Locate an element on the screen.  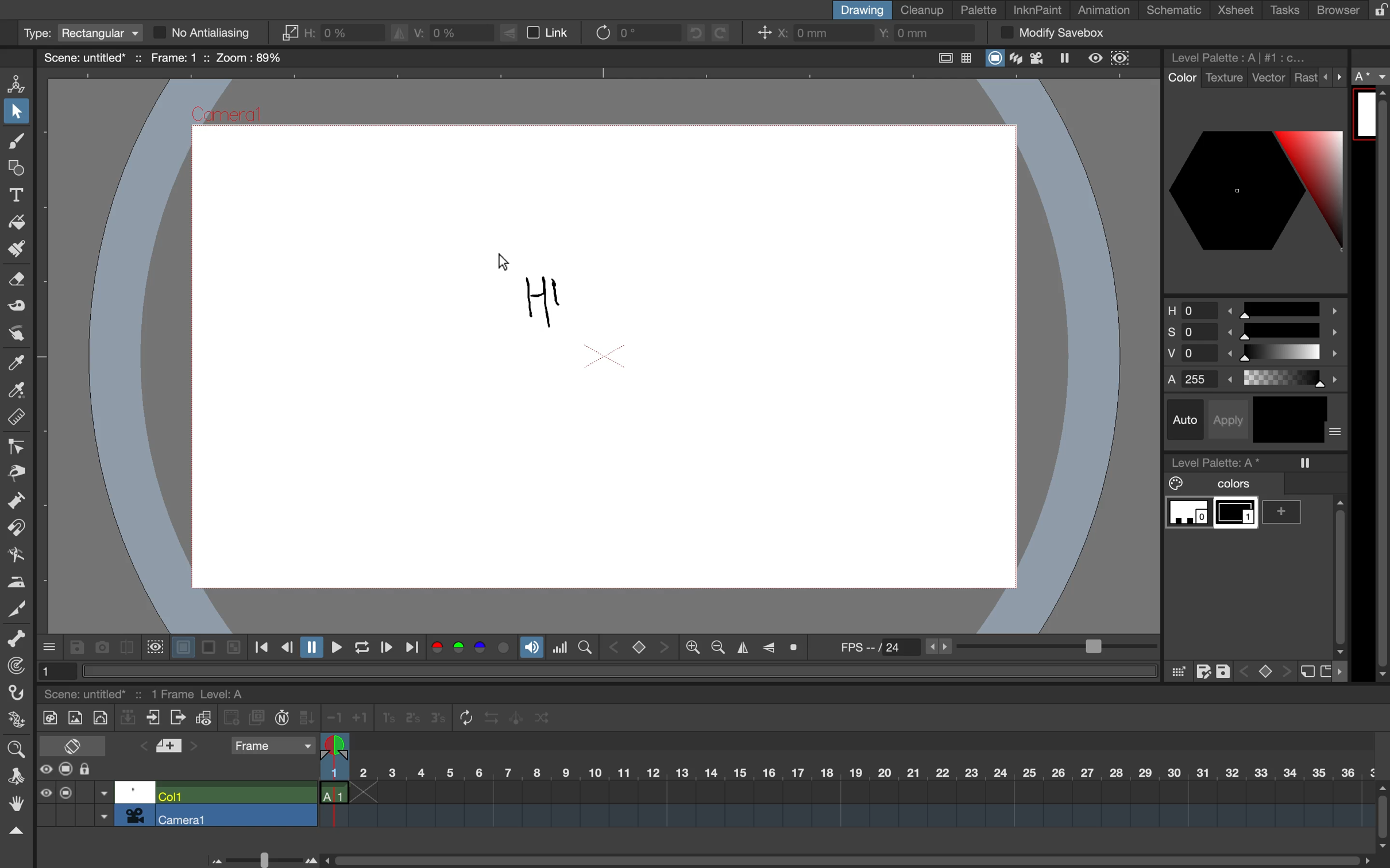
control point edit tool is located at coordinates (17, 447).